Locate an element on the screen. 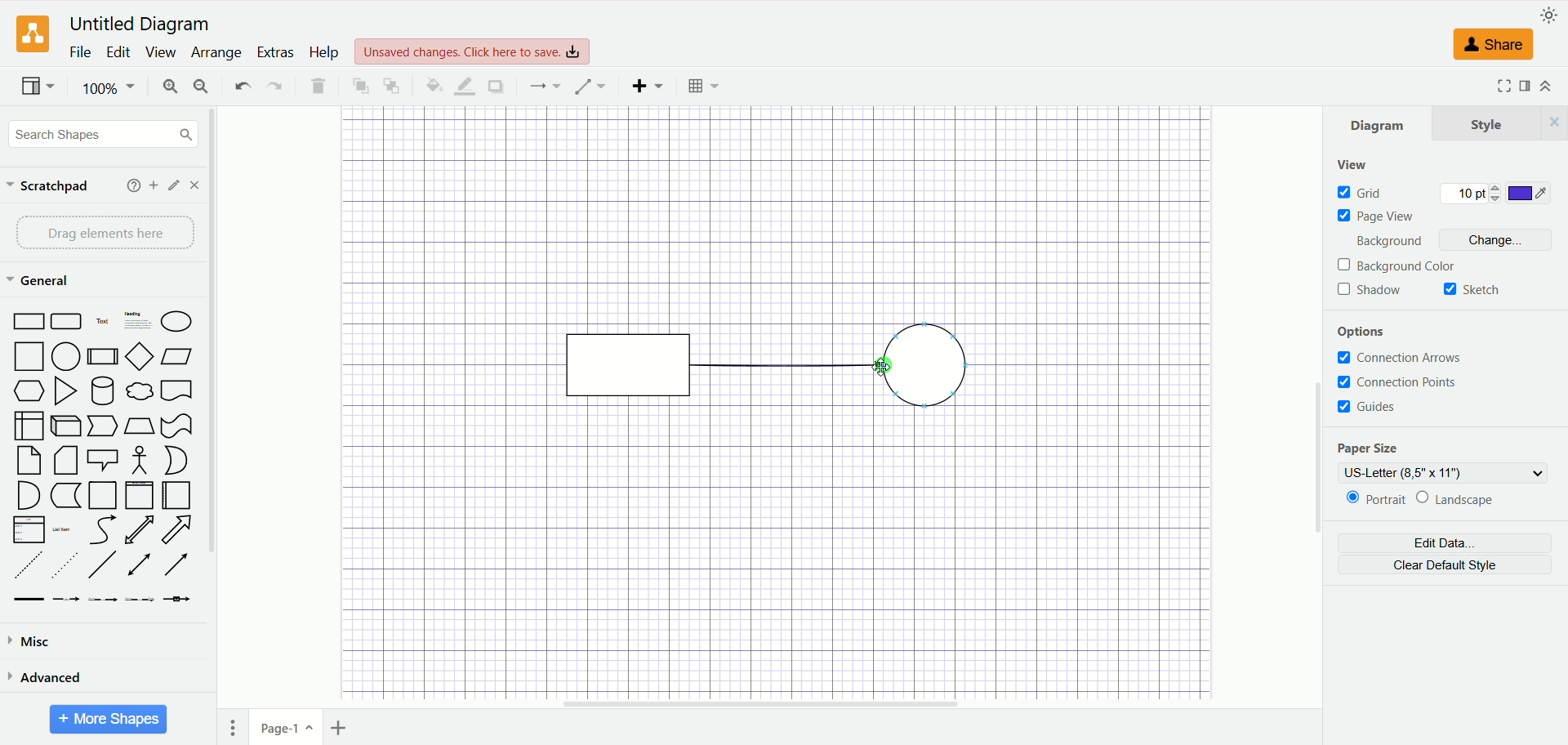  Ellipse is located at coordinates (176, 323).